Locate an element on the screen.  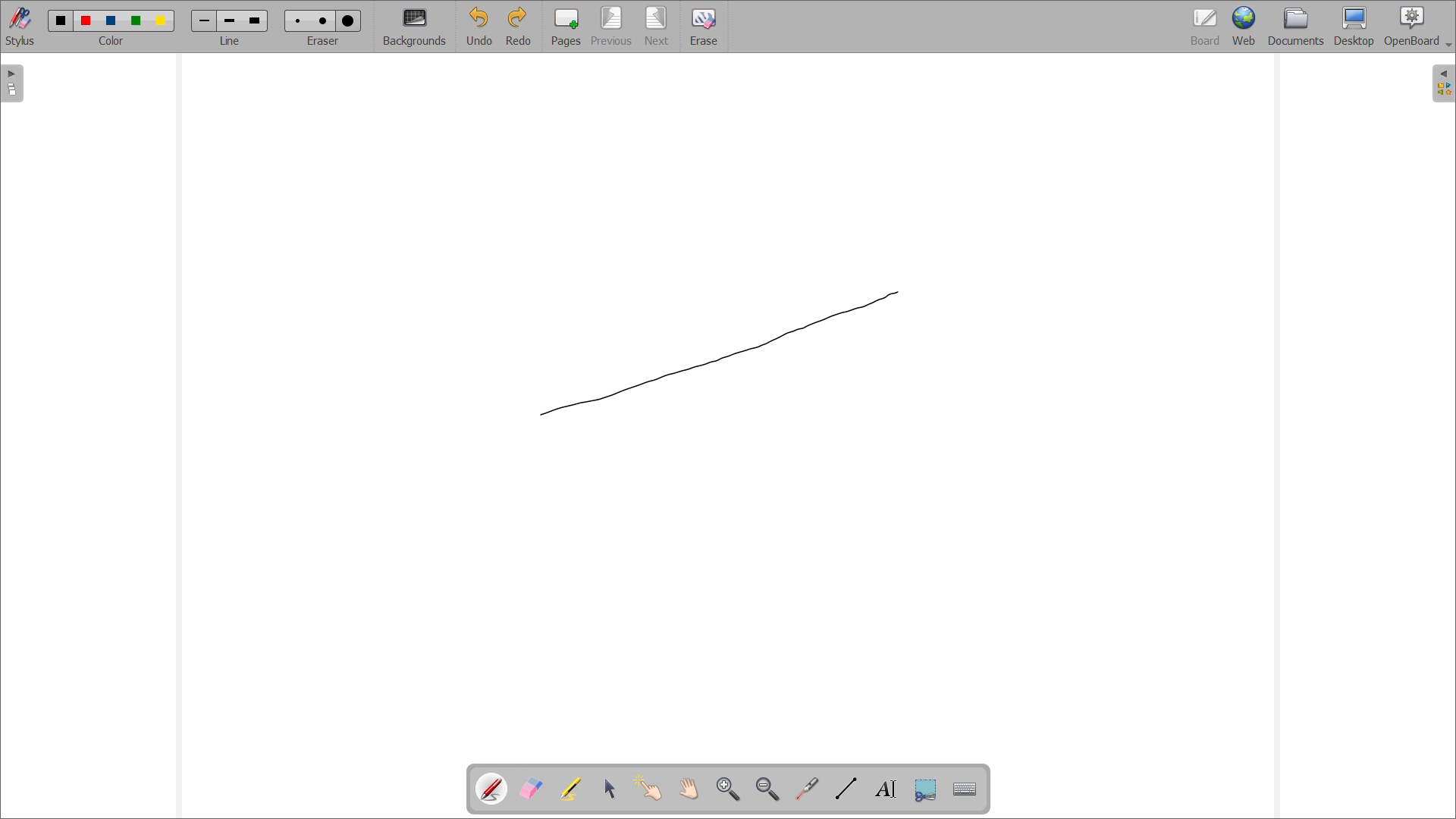
draw text is located at coordinates (887, 789).